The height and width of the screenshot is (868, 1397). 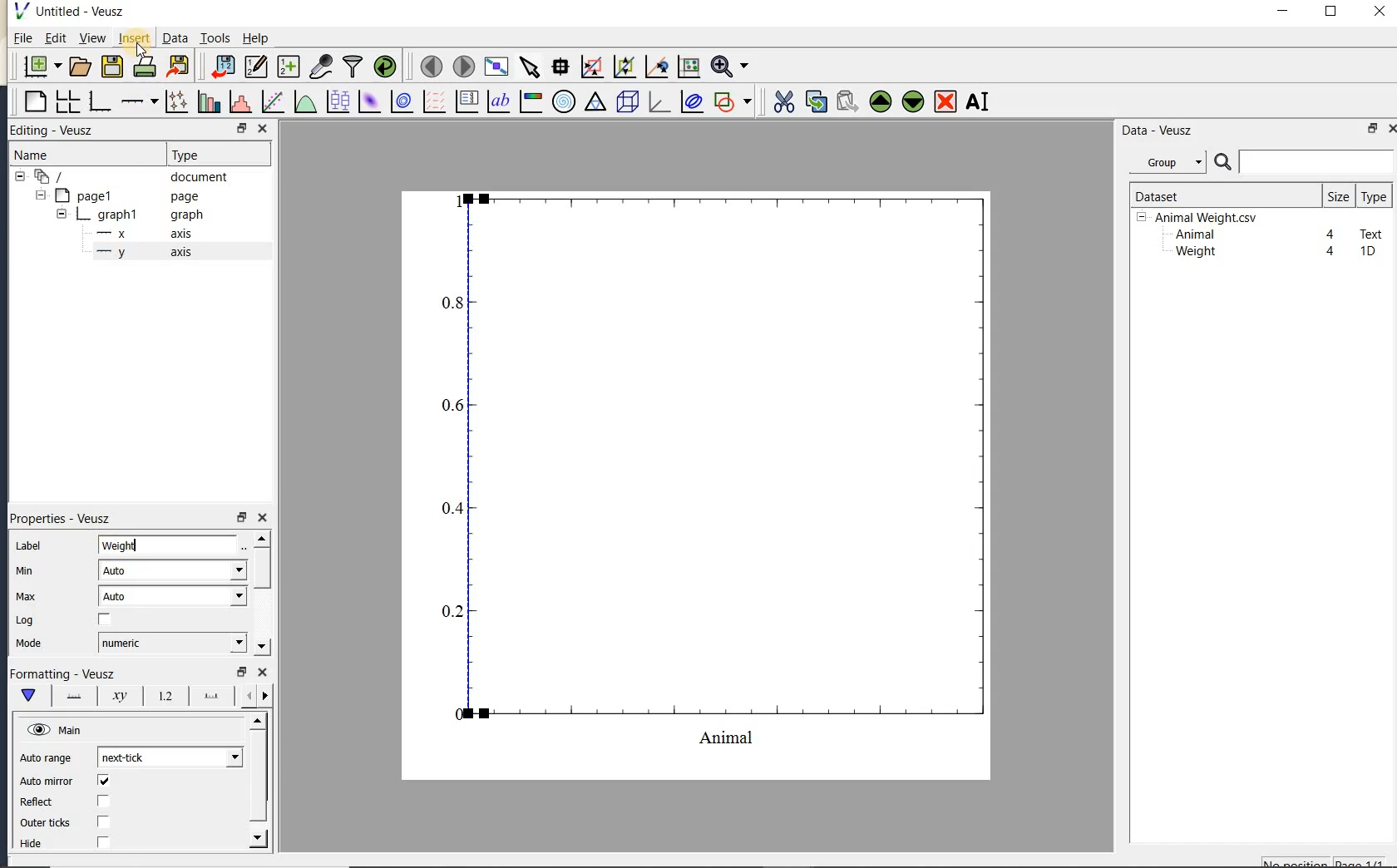 What do you see at coordinates (690, 101) in the screenshot?
I see `plot covariance ellipses` at bounding box center [690, 101].